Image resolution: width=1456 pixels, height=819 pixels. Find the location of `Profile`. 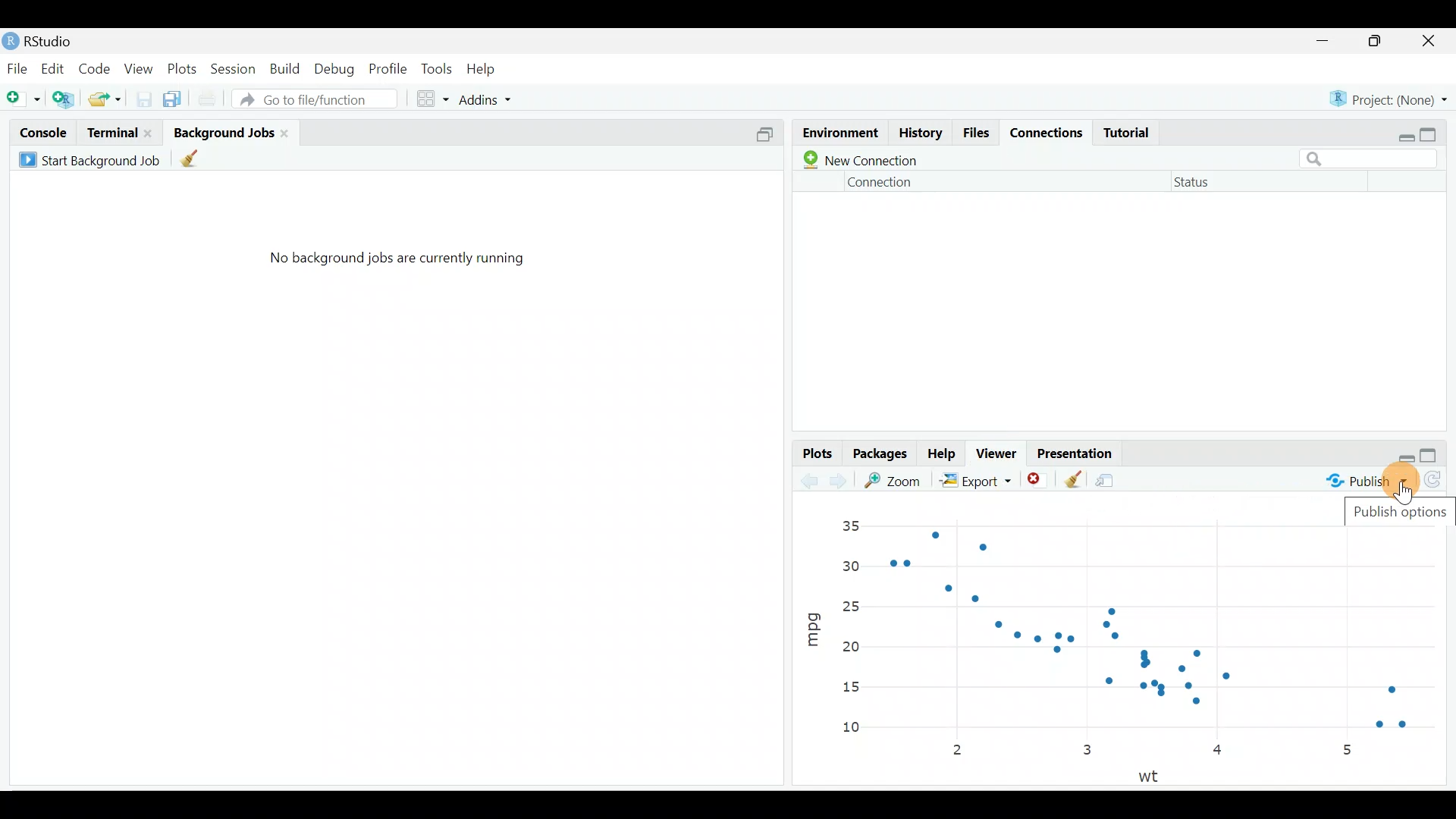

Profile is located at coordinates (390, 68).